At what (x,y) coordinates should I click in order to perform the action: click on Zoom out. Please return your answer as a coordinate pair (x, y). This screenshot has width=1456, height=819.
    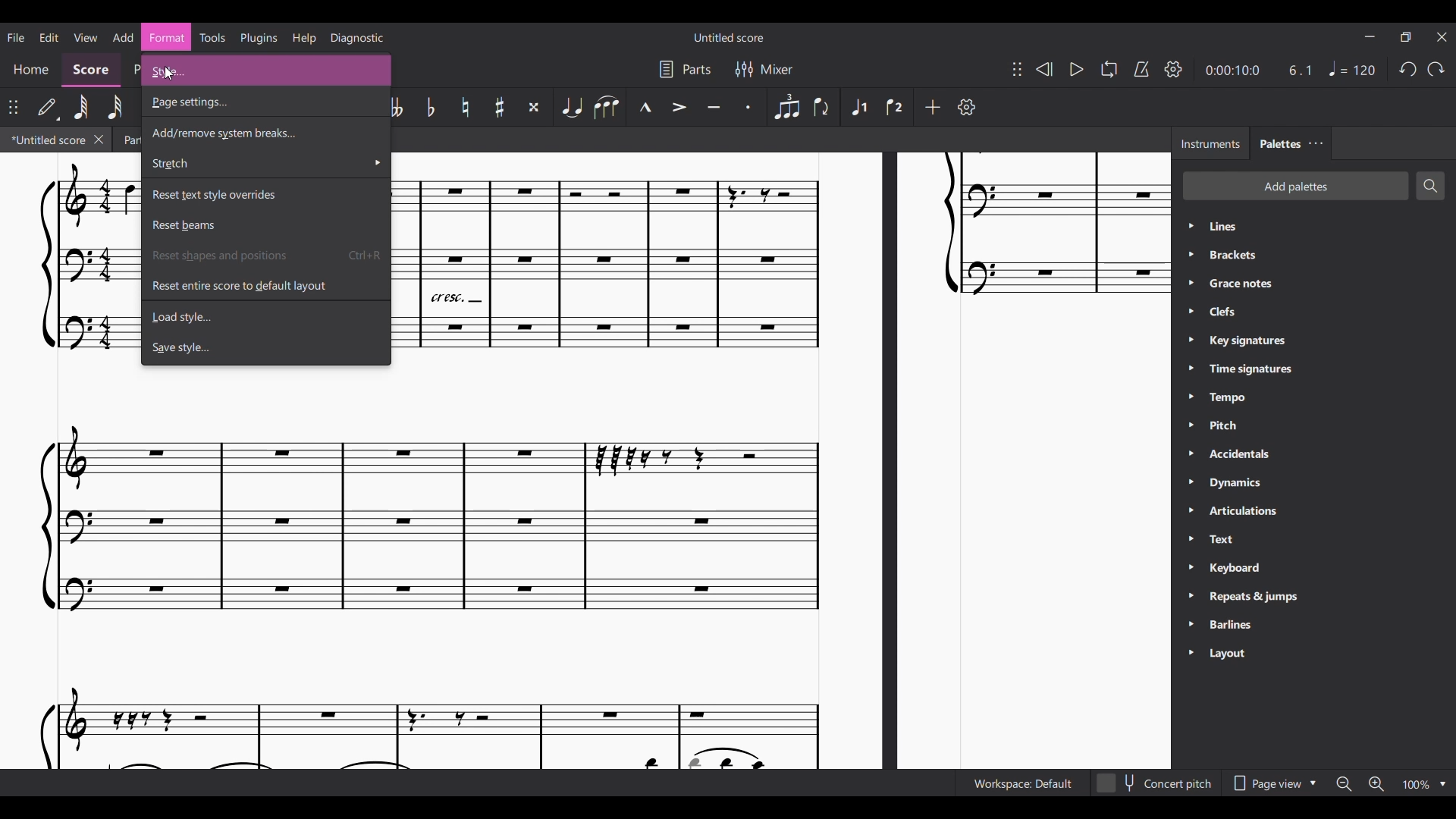
    Looking at the image, I should click on (1344, 784).